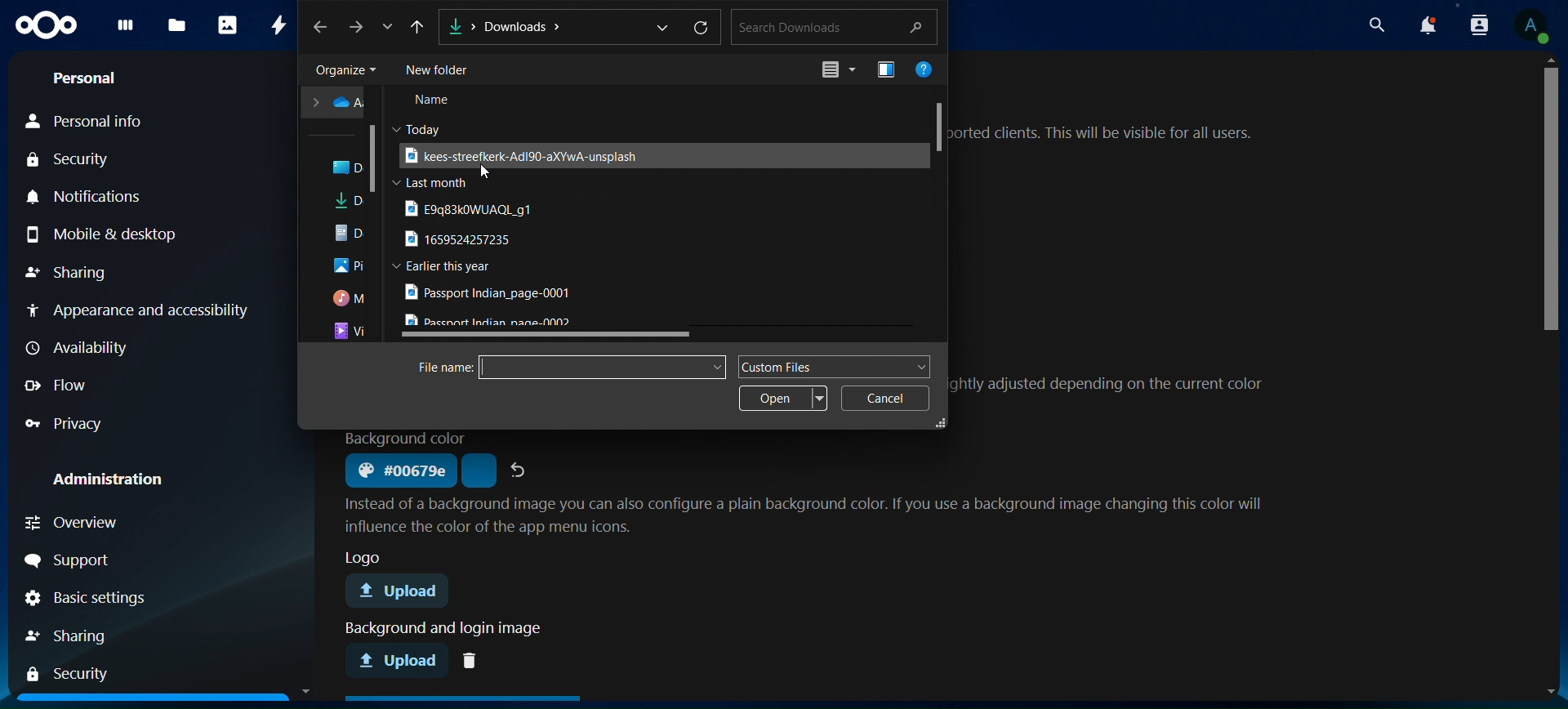 The width and height of the screenshot is (1568, 709). Describe the element at coordinates (786, 399) in the screenshot. I see `open` at that location.